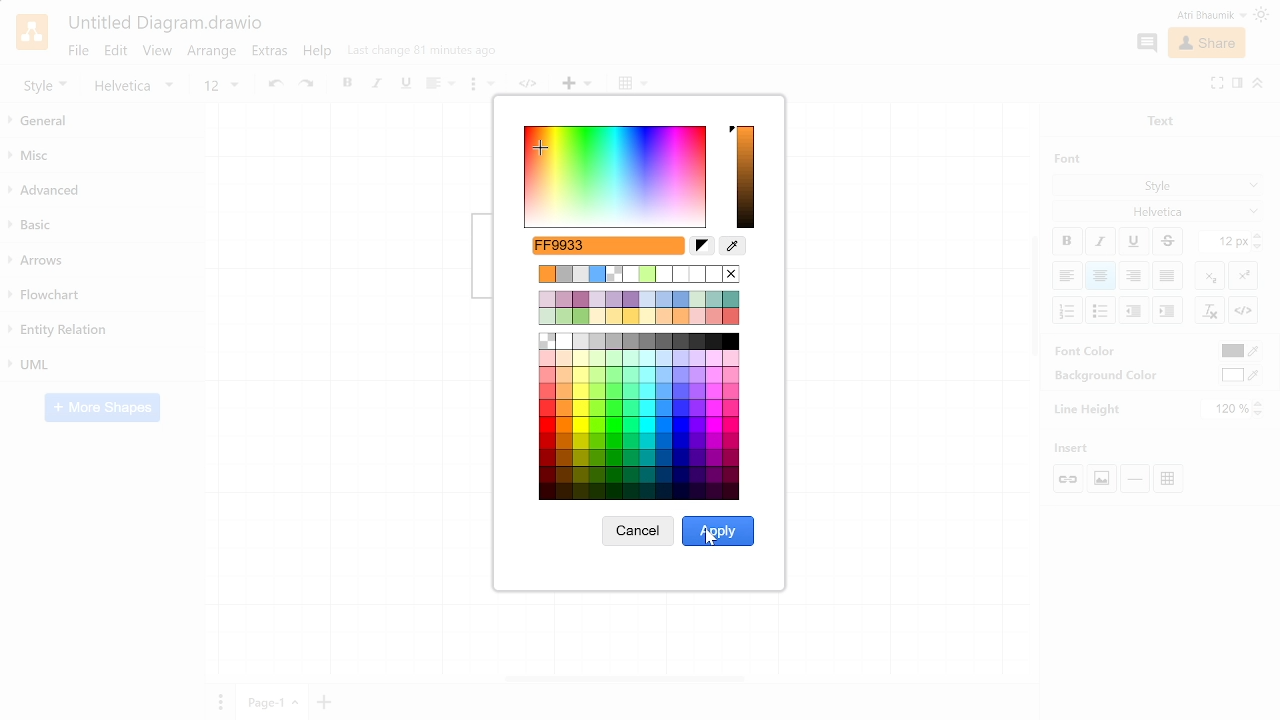 The height and width of the screenshot is (720, 1280). Describe the element at coordinates (1146, 43) in the screenshot. I see `Comment` at that location.